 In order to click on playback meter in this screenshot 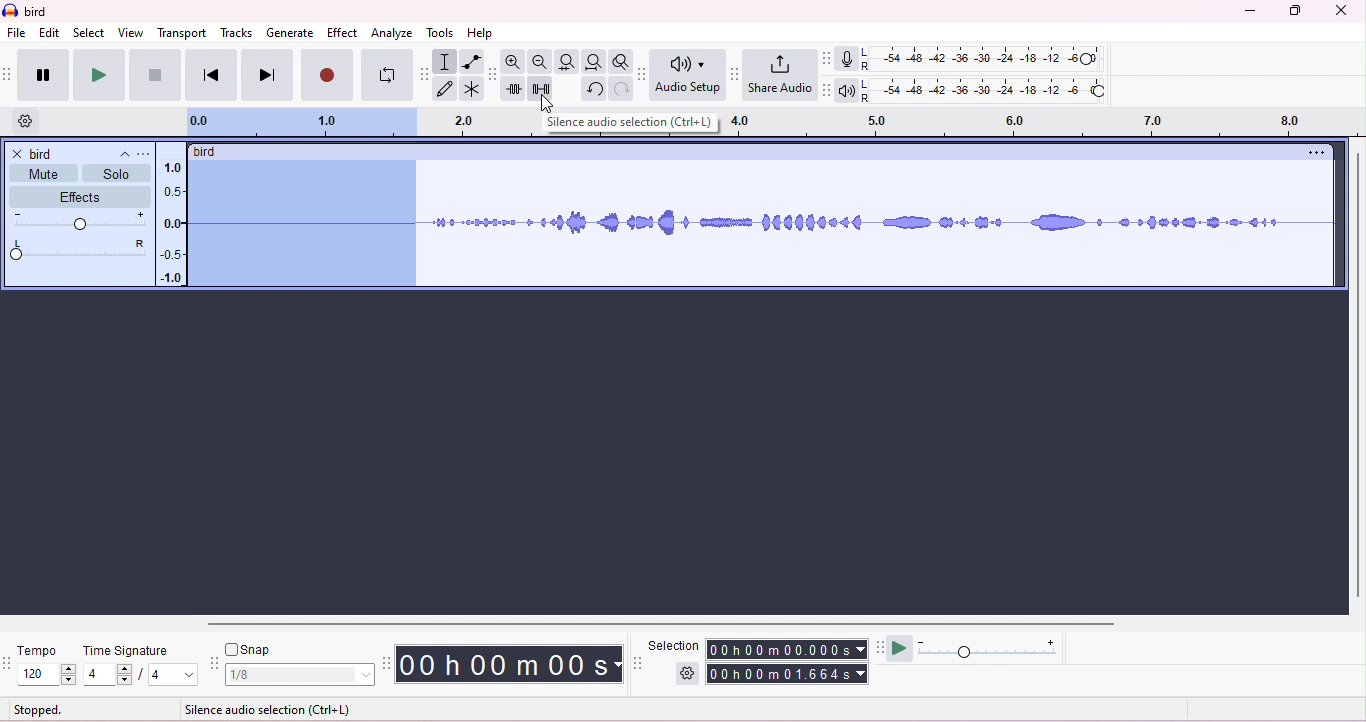, I will do `click(854, 88)`.